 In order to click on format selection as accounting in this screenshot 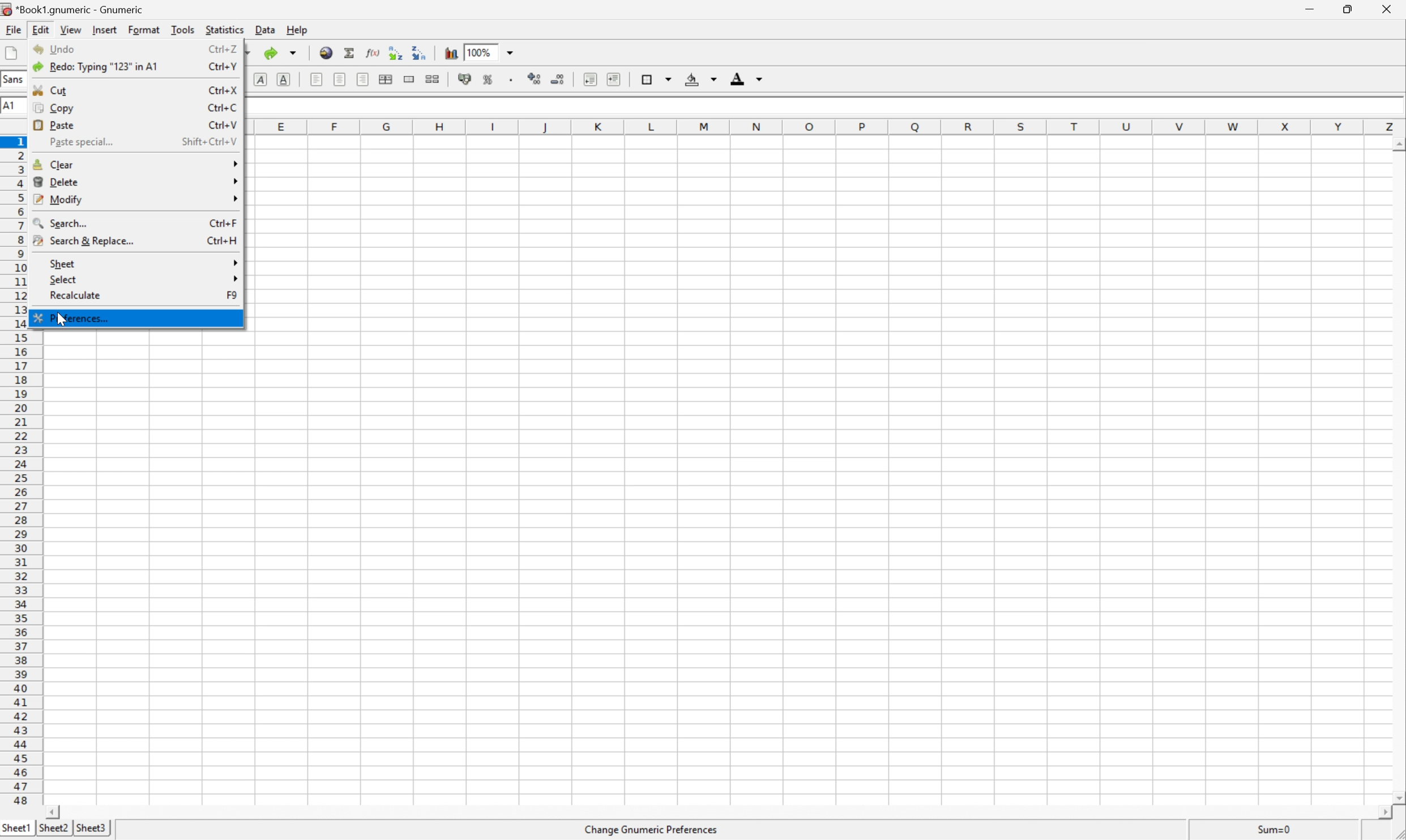, I will do `click(463, 78)`.